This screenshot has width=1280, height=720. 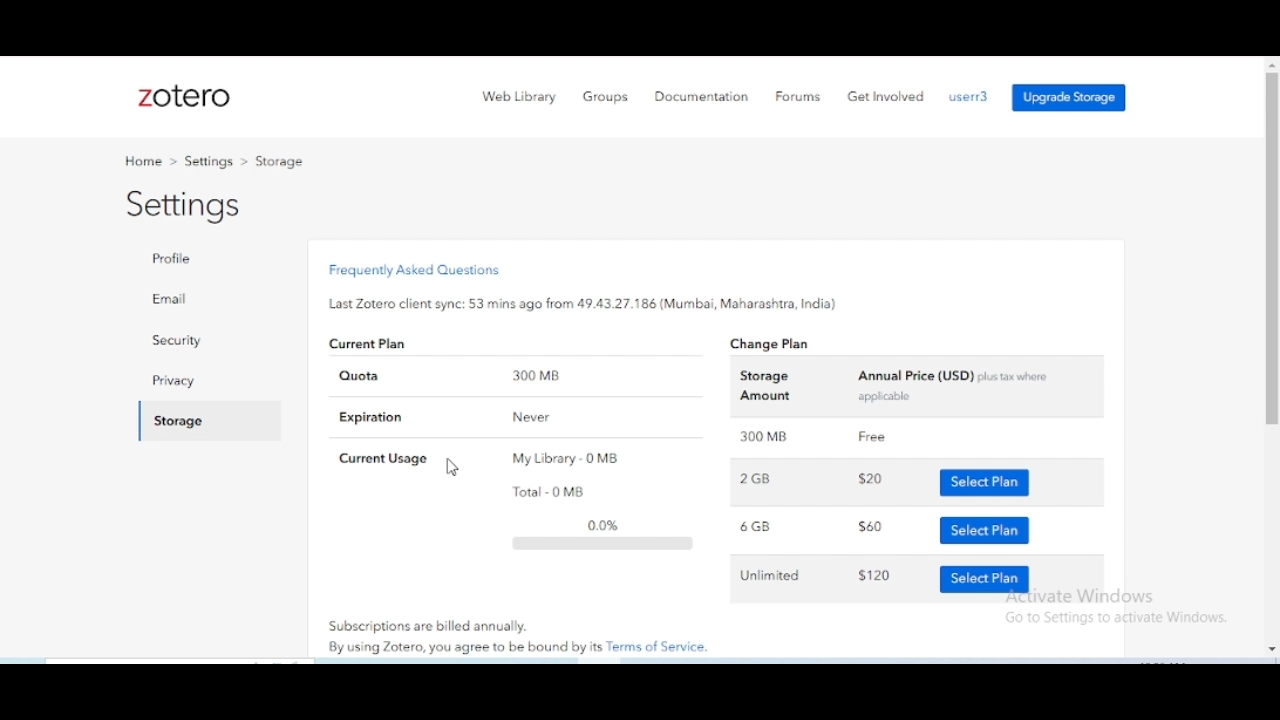 What do you see at coordinates (985, 483) in the screenshot?
I see `select plan` at bounding box center [985, 483].